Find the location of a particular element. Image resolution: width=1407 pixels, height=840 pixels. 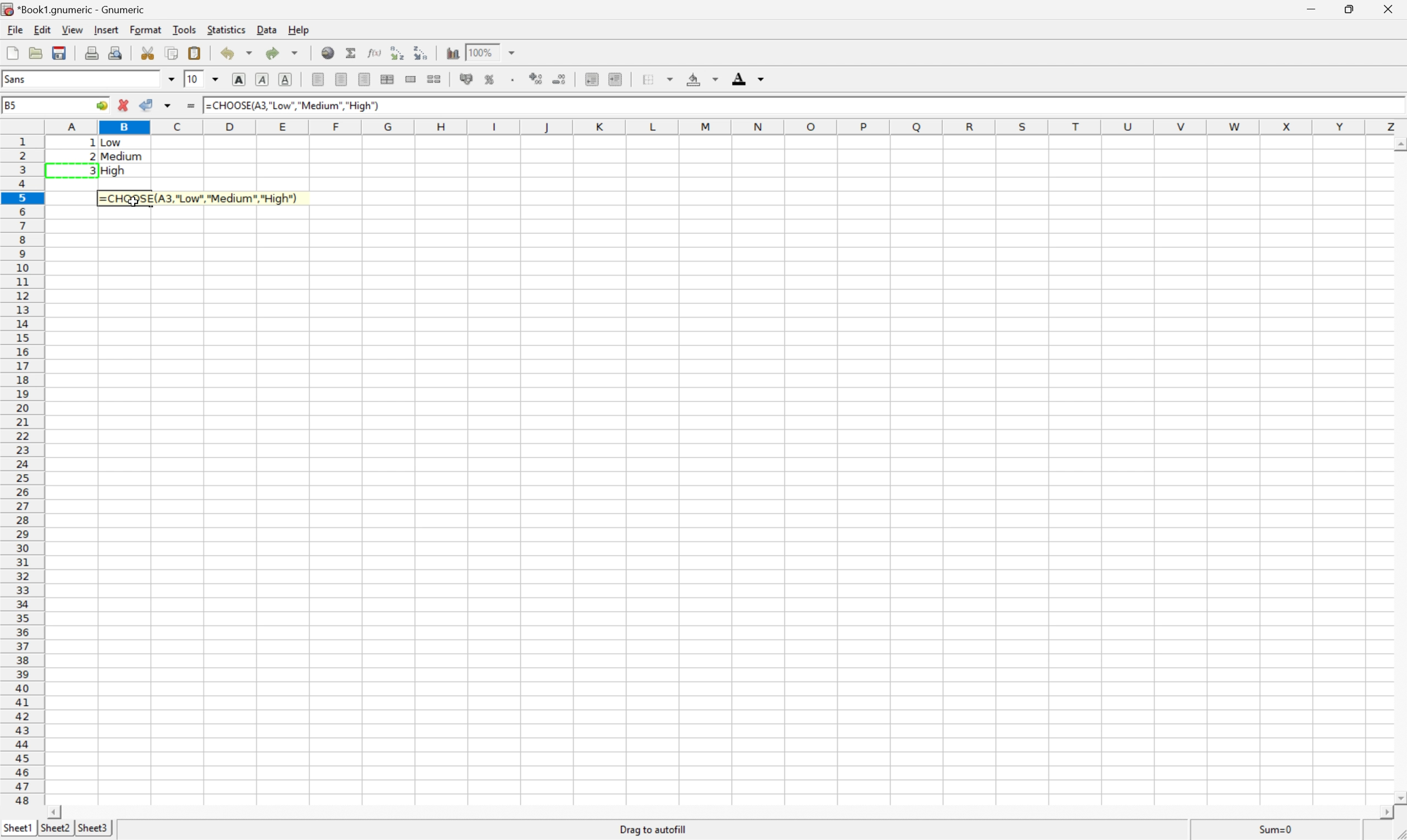

Statistics is located at coordinates (227, 28).